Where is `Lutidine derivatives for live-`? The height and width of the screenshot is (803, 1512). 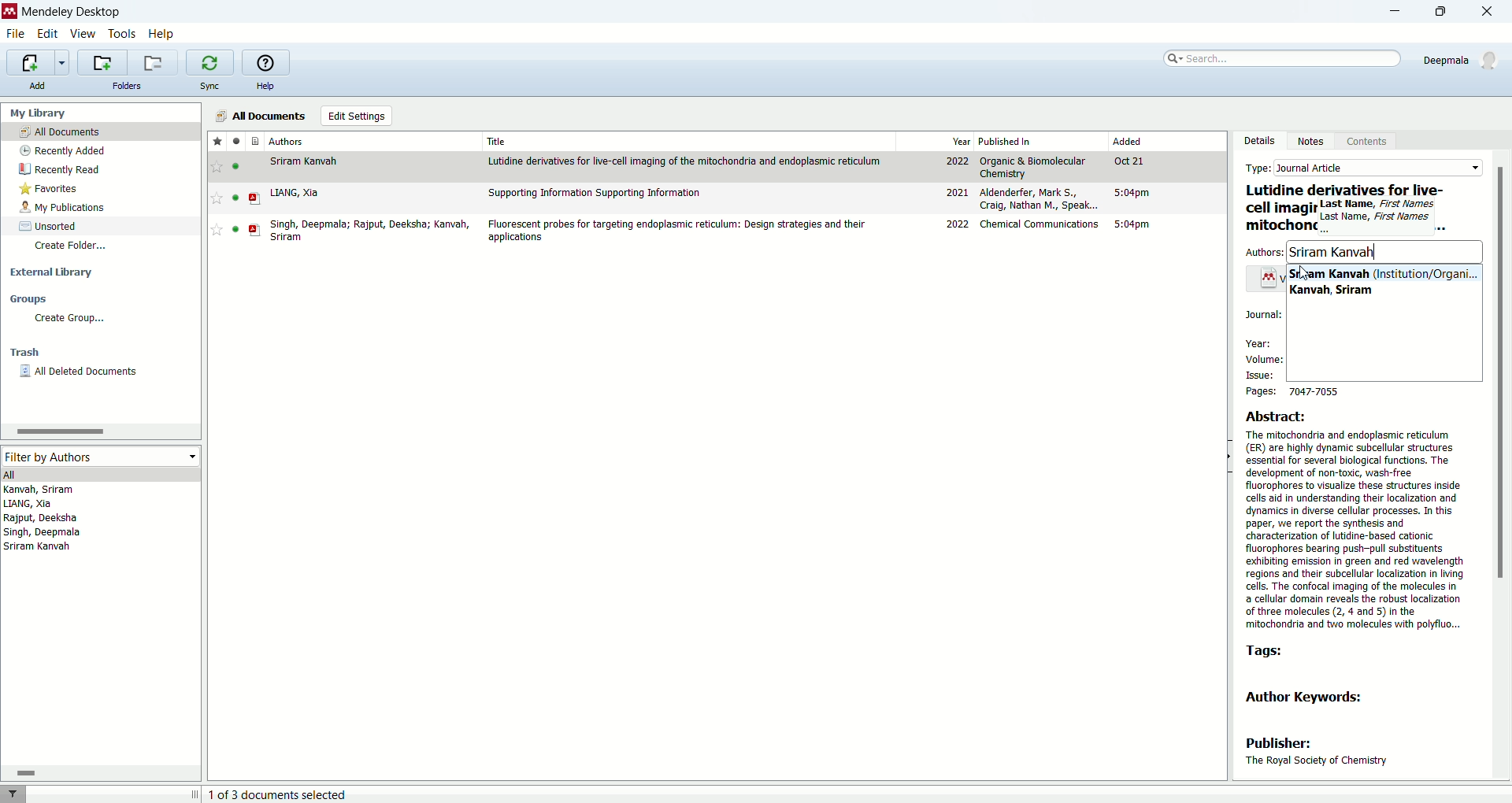 Lutidine derivatives for live- is located at coordinates (1346, 191).